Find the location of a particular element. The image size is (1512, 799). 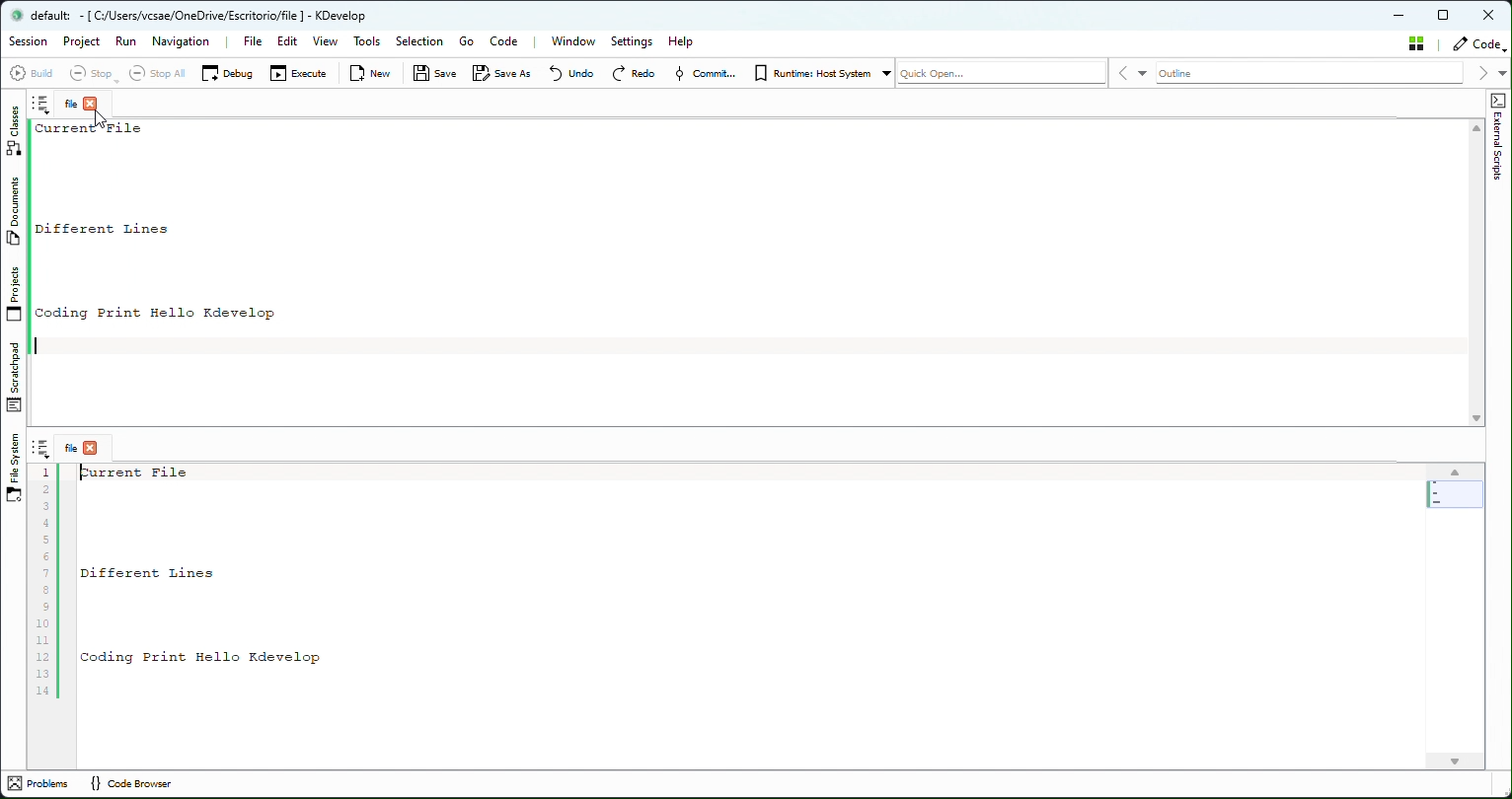

Window is located at coordinates (579, 41).